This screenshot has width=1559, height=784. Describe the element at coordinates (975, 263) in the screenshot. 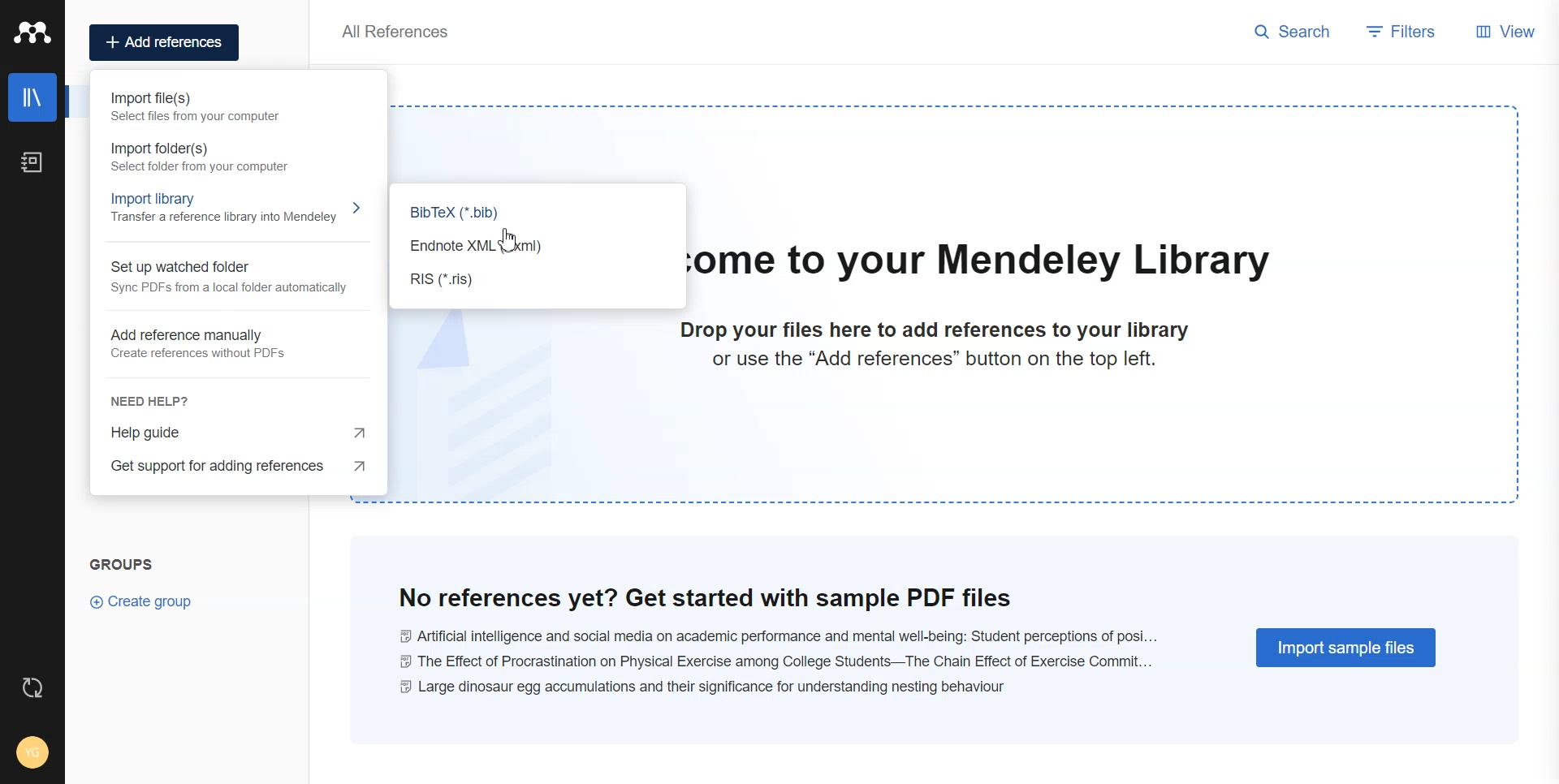

I see `come to your Mendeley Library` at that location.